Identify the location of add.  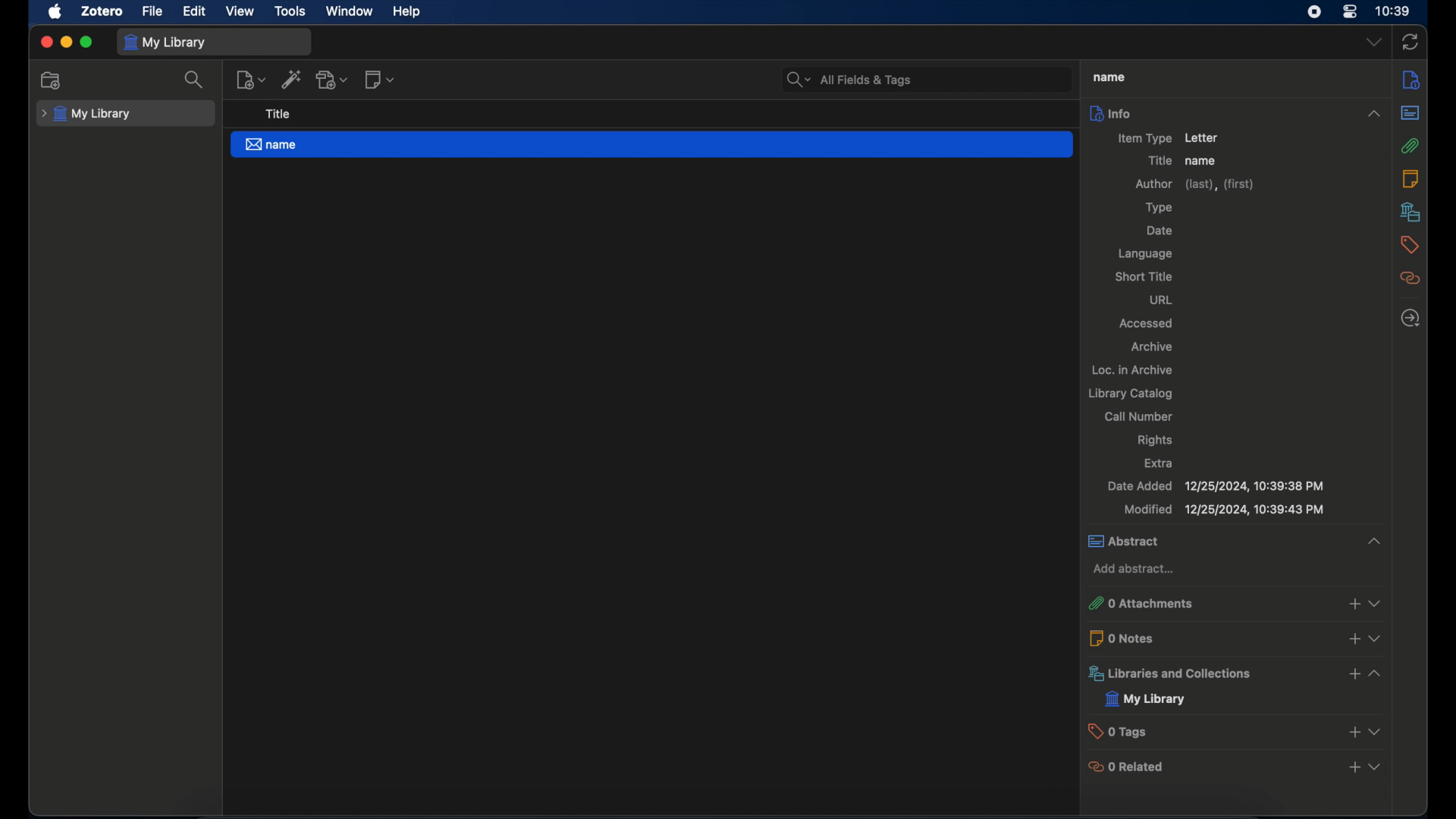
(1354, 604).